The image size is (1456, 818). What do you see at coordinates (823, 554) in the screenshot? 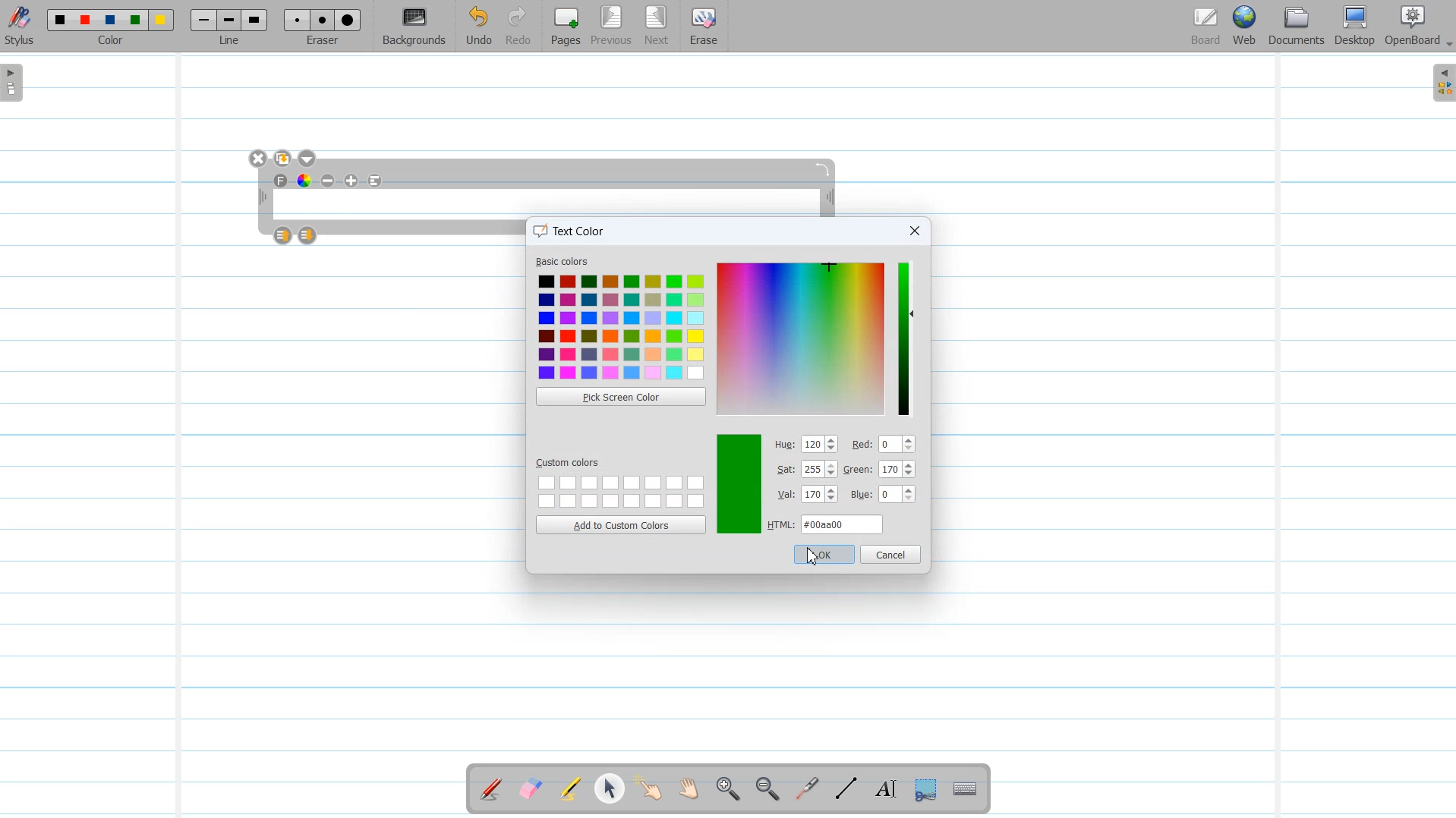
I see `OK` at bounding box center [823, 554].